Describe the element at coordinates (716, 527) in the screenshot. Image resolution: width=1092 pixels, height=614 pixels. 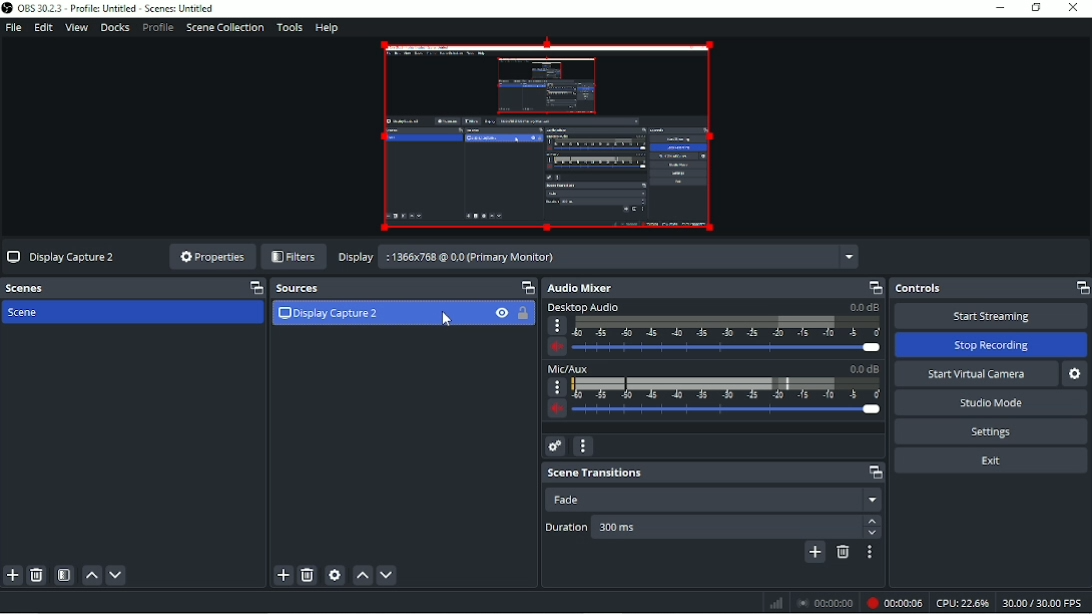
I see `300ms` at that location.